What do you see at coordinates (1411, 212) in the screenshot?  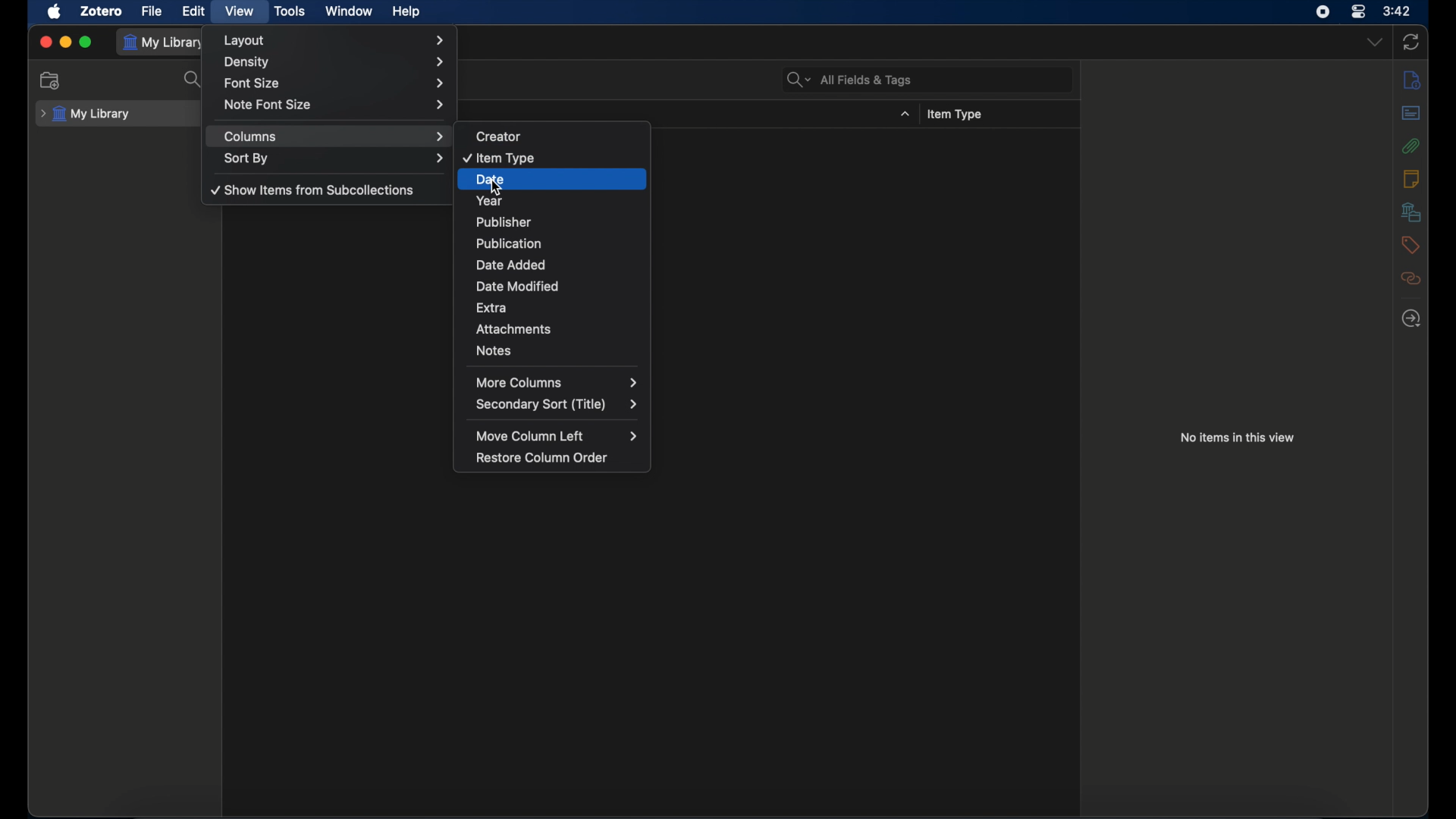 I see `libraries` at bounding box center [1411, 212].